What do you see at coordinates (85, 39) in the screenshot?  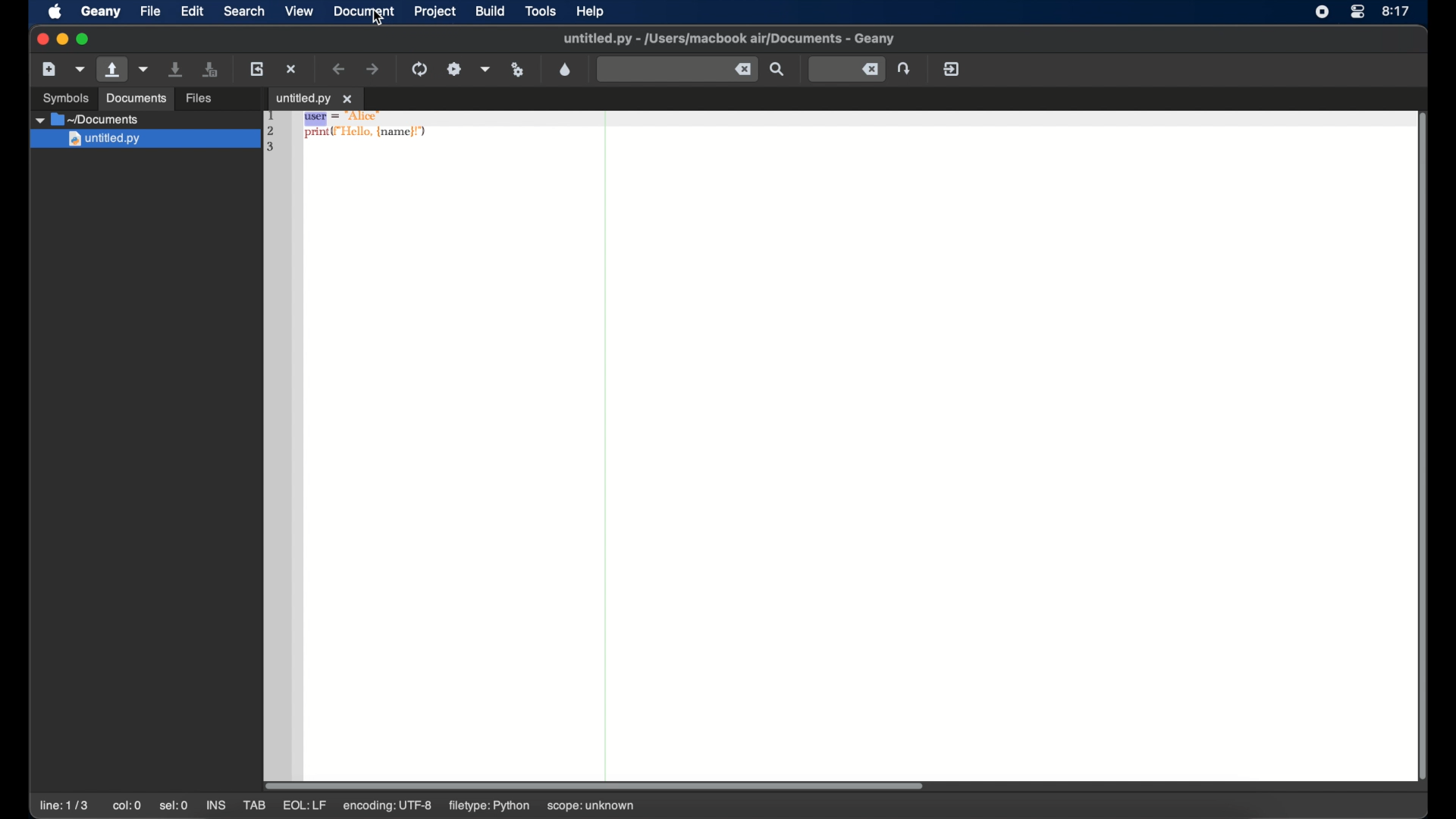 I see `maximize` at bounding box center [85, 39].